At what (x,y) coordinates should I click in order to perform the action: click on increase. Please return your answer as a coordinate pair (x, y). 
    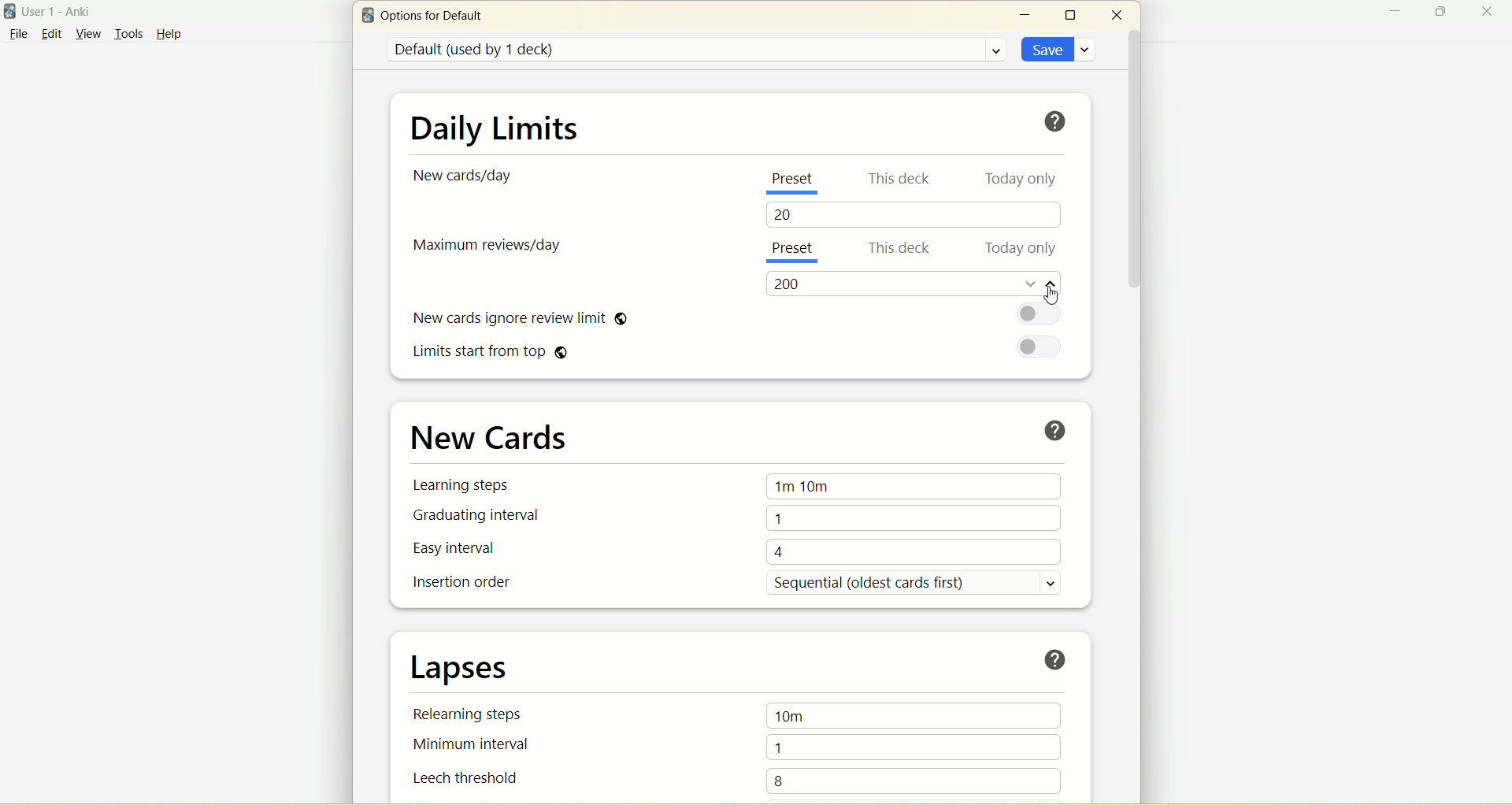
    Looking at the image, I should click on (1054, 287).